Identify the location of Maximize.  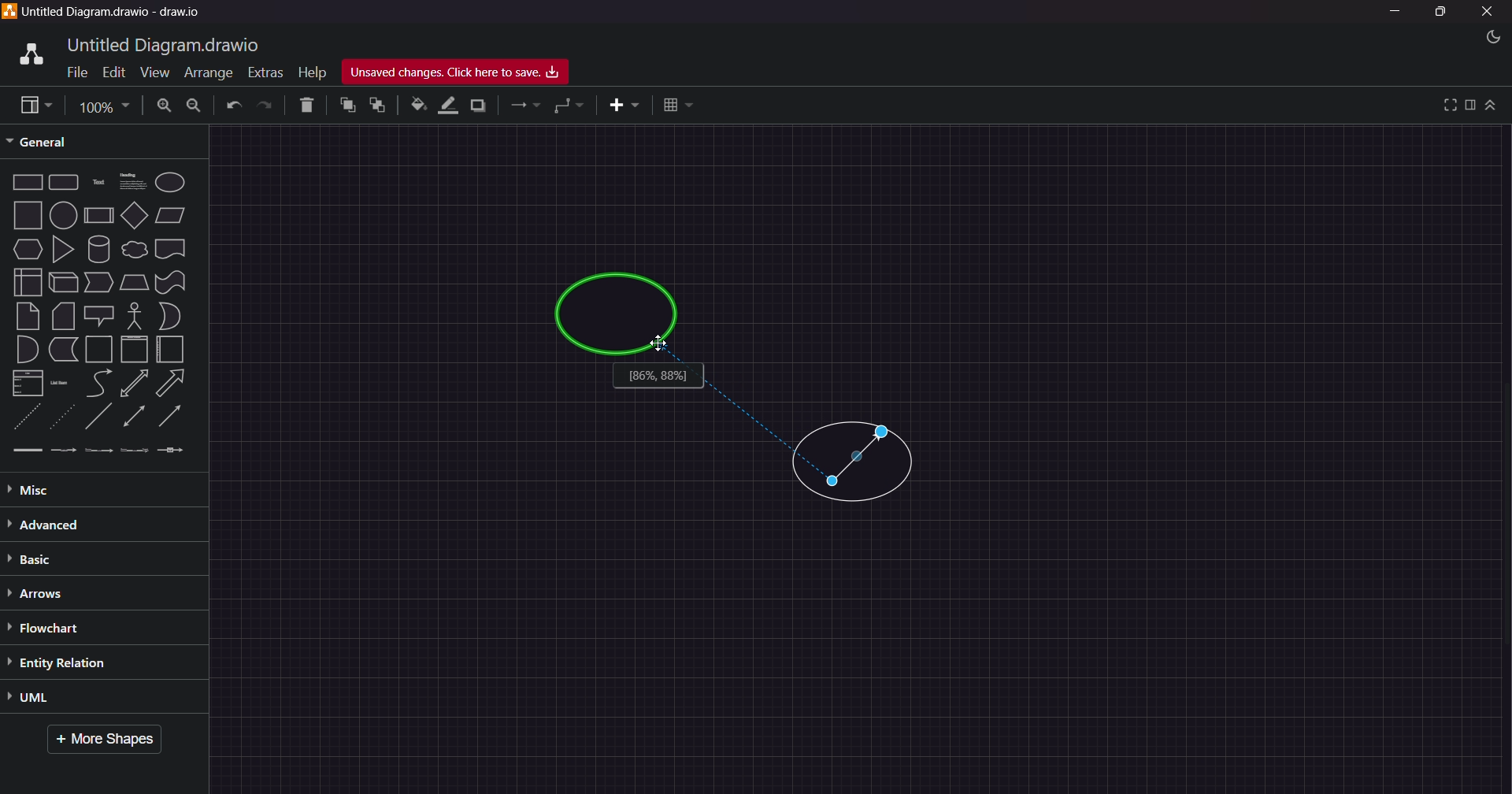
(1440, 14).